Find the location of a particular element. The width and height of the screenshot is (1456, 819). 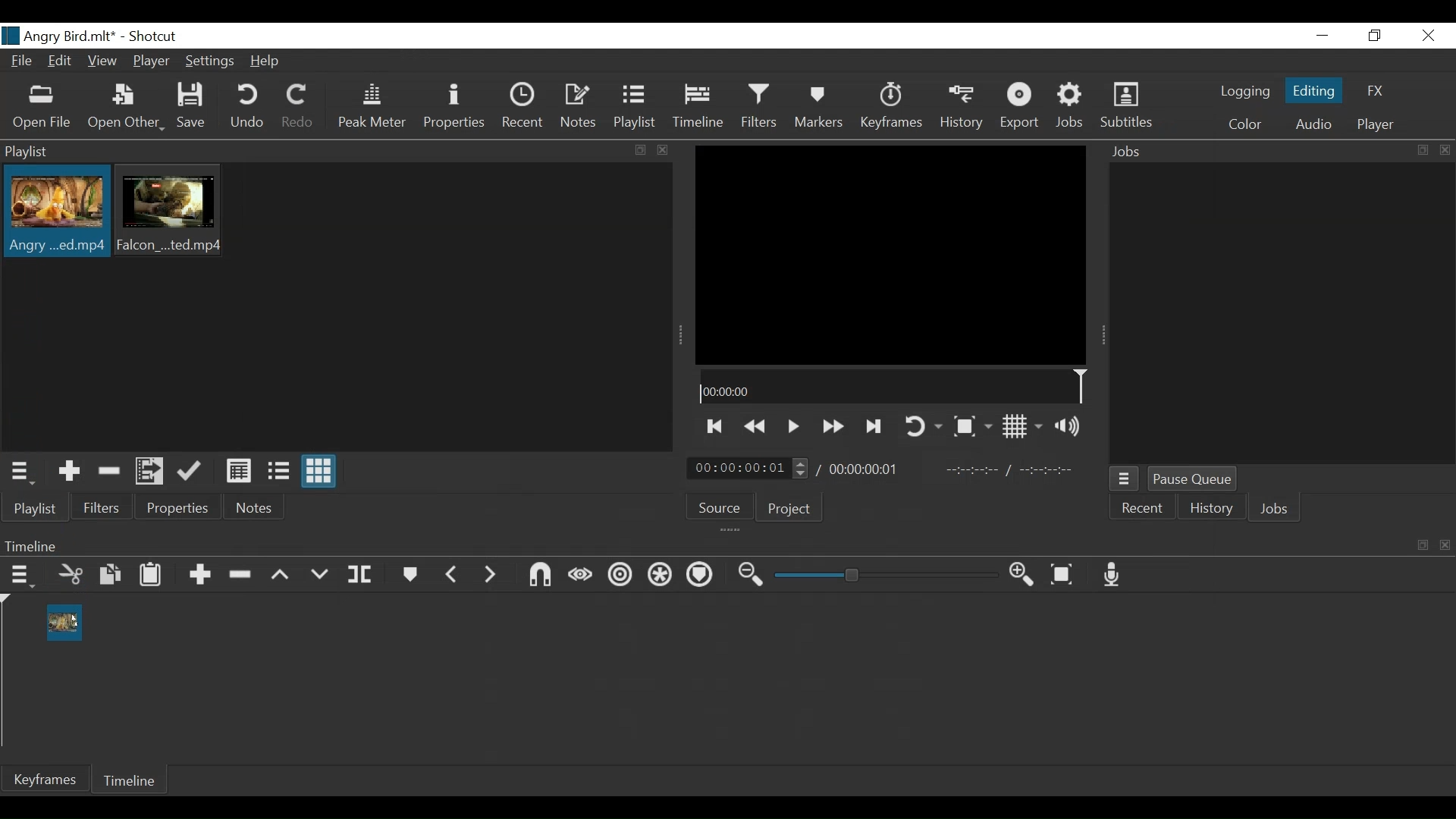

Playlist Panel is located at coordinates (337, 151).